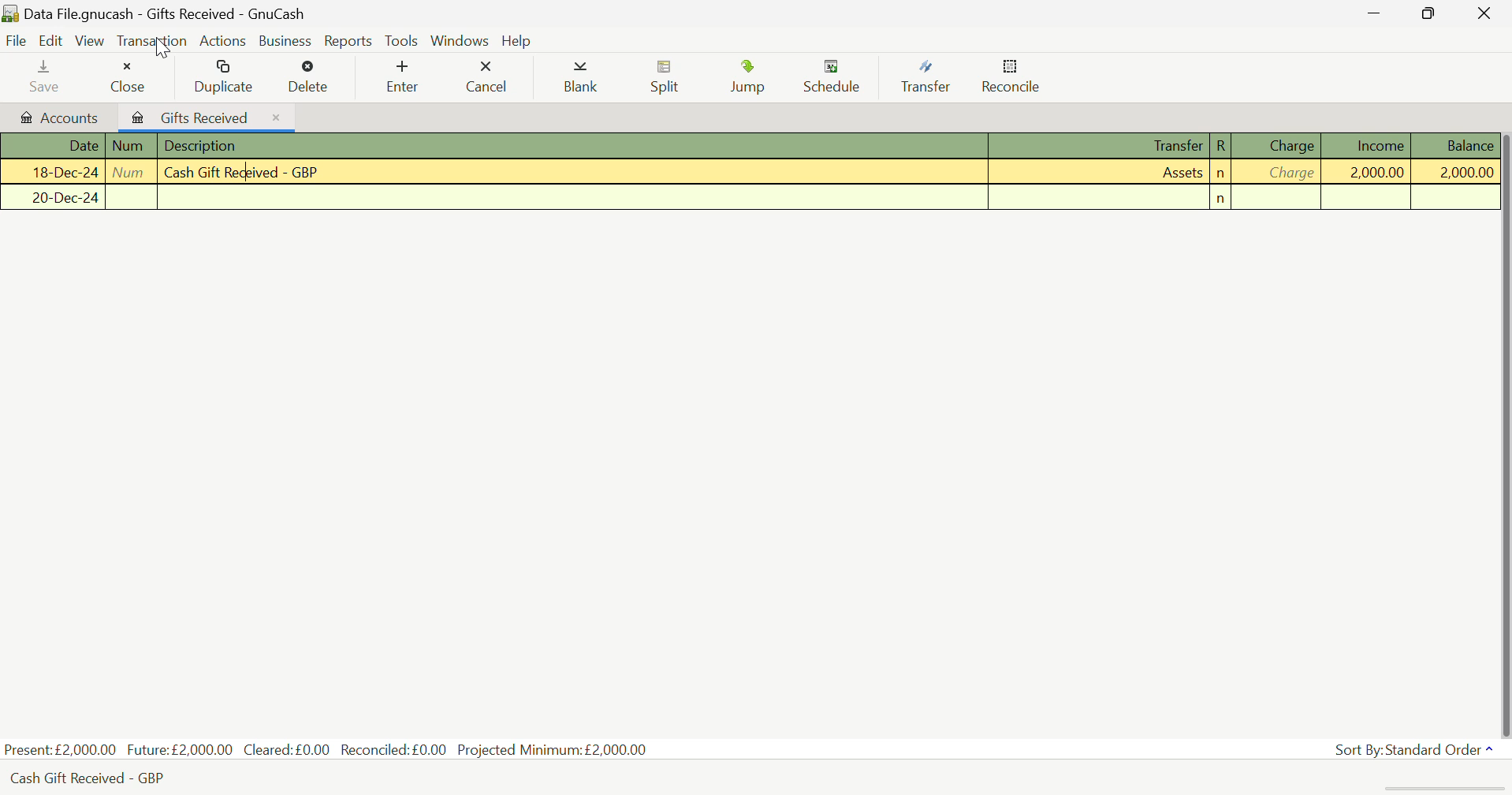 The width and height of the screenshot is (1512, 795). What do you see at coordinates (1221, 199) in the screenshot?
I see `n` at bounding box center [1221, 199].